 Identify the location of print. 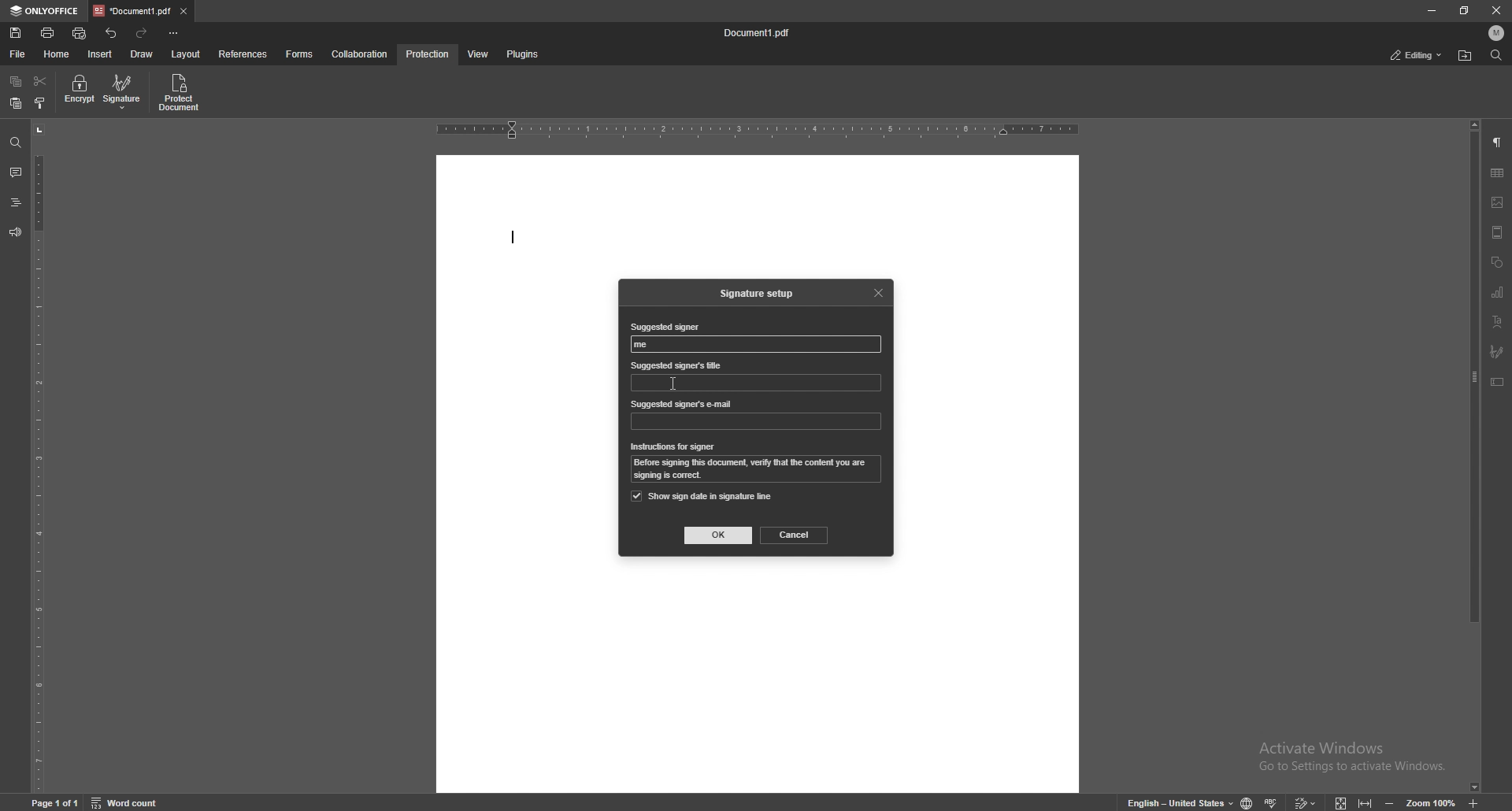
(49, 32).